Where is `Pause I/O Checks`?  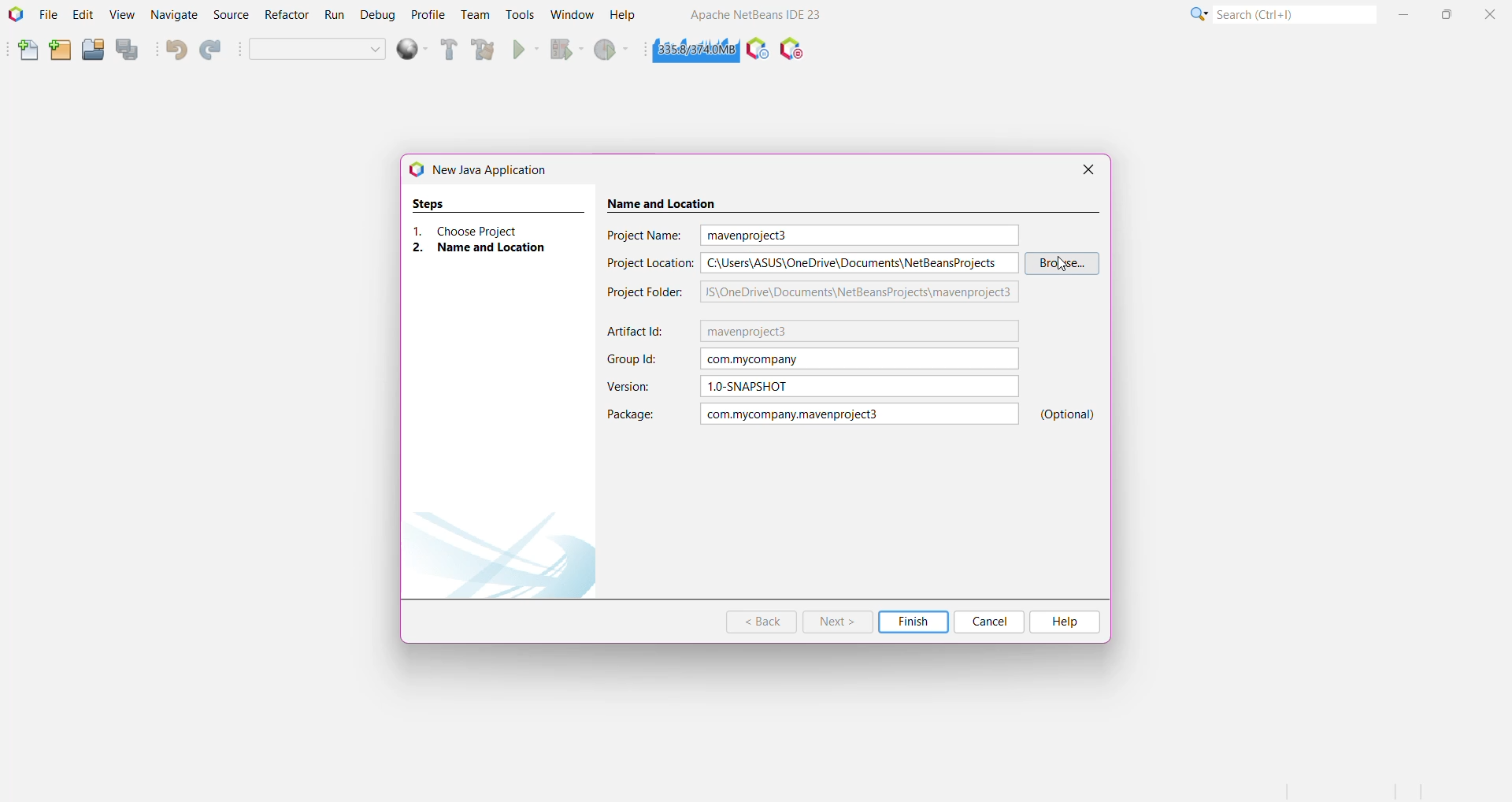
Pause I/O Checks is located at coordinates (793, 51).